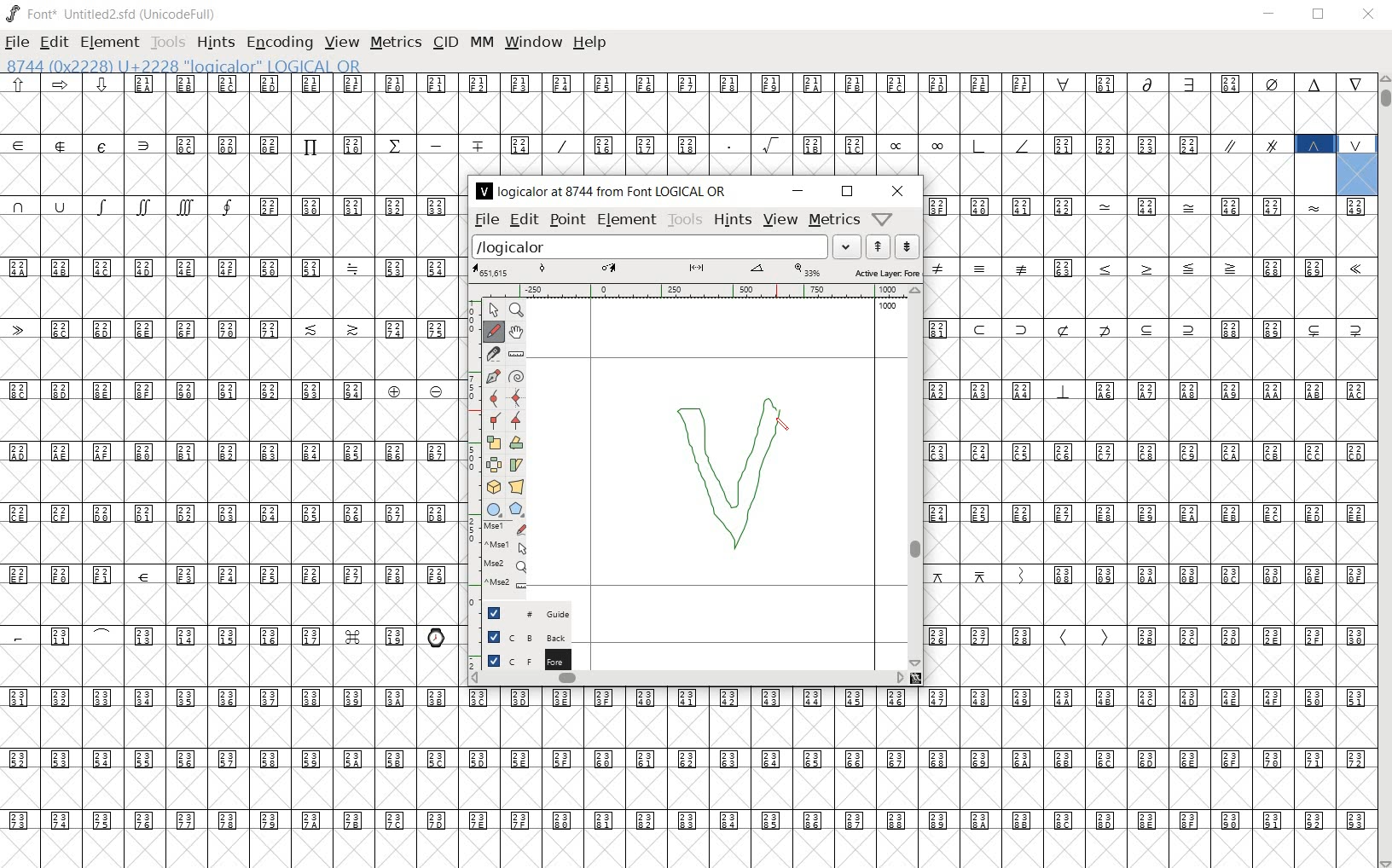 Image resolution: width=1392 pixels, height=868 pixels. What do you see at coordinates (519, 615) in the screenshot?
I see `guide` at bounding box center [519, 615].